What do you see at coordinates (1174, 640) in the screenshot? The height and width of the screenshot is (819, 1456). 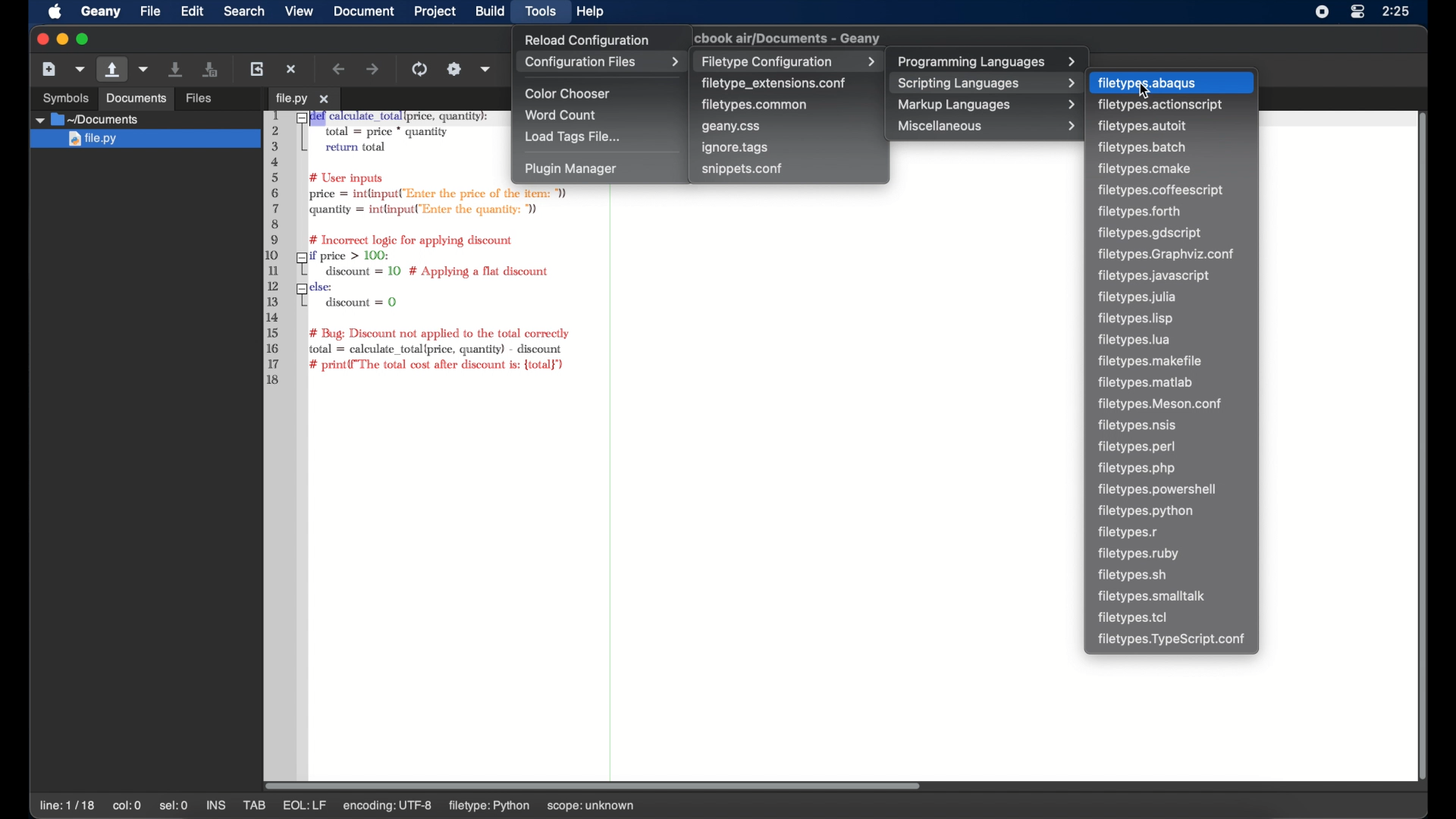 I see `filetypes` at bounding box center [1174, 640].